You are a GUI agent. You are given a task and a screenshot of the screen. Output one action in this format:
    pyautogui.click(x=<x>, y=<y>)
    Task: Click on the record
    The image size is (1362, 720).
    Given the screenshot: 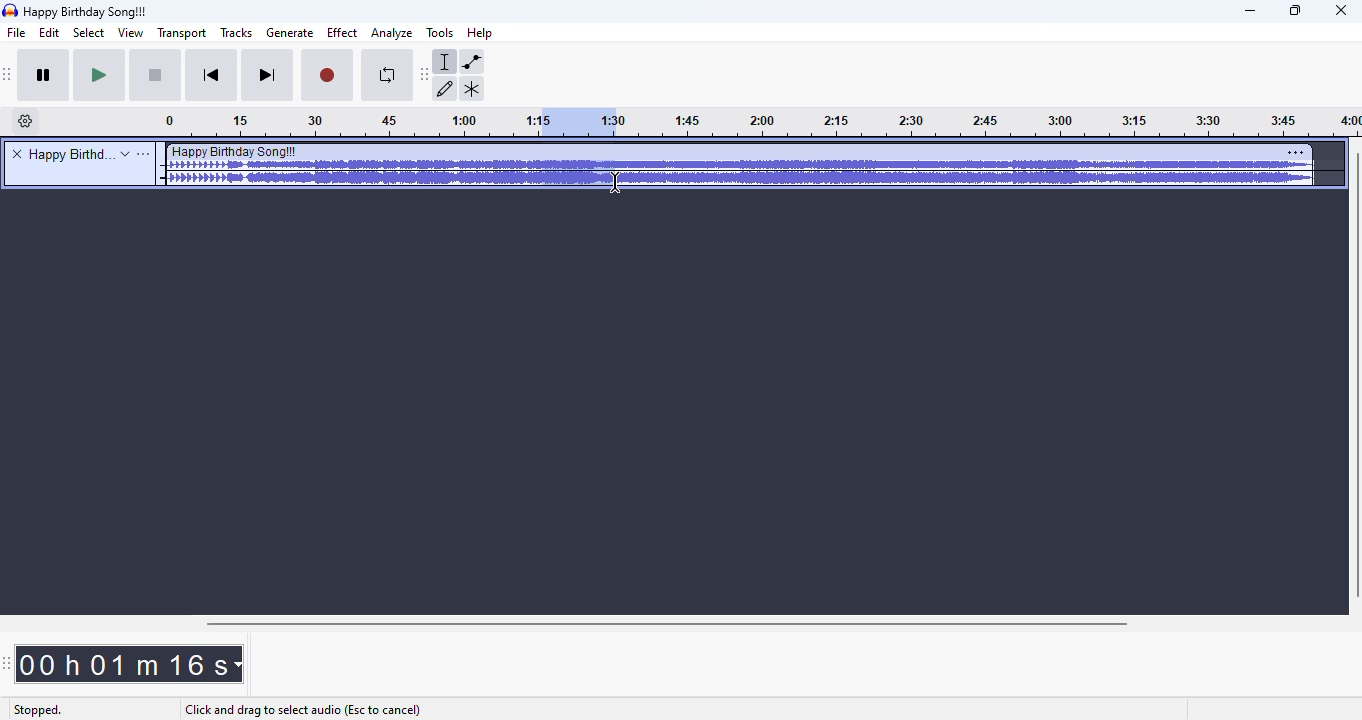 What is the action you would take?
    pyautogui.click(x=328, y=77)
    